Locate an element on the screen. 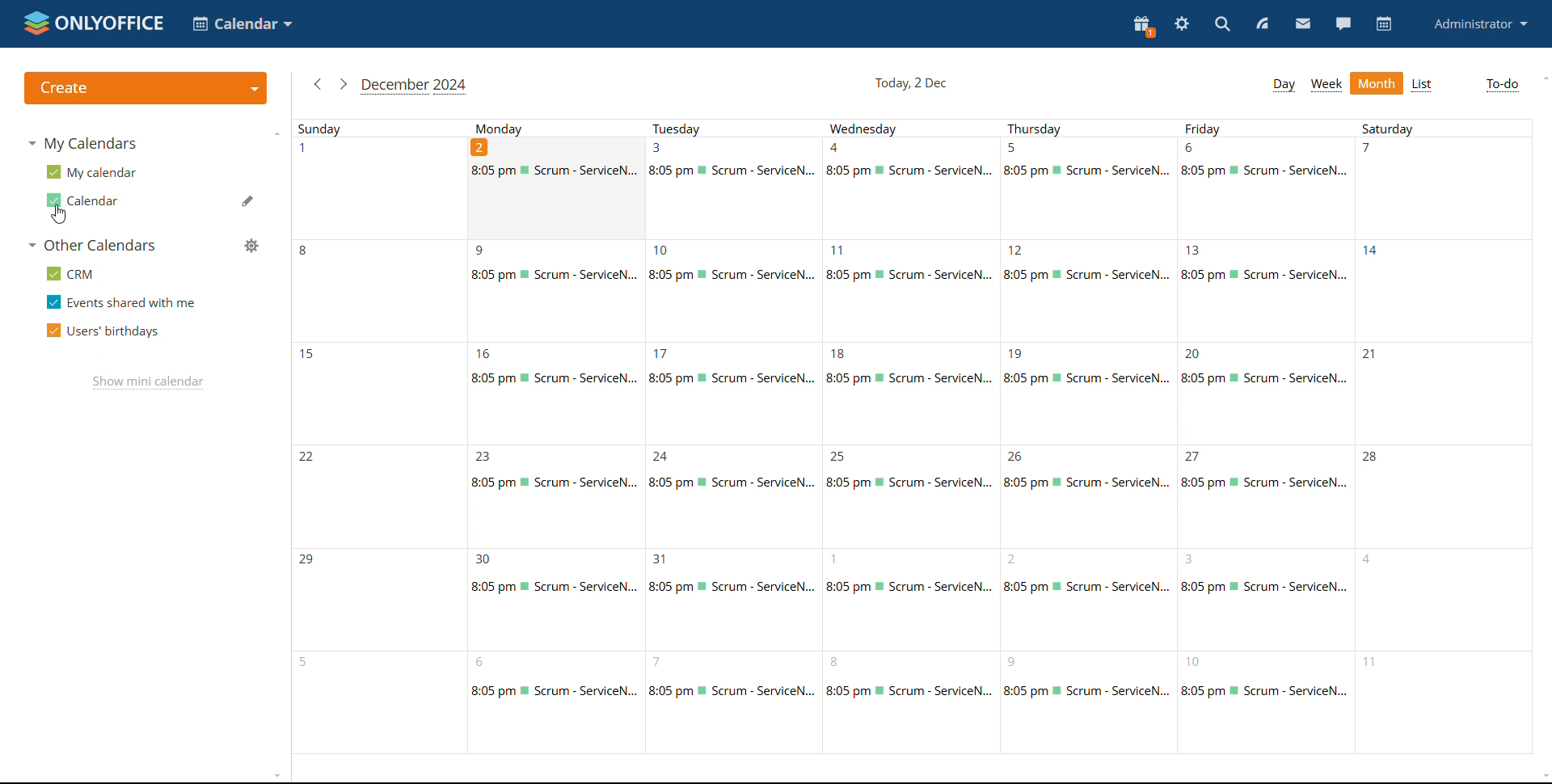 The height and width of the screenshot is (784, 1552). chat is located at coordinates (1343, 24).